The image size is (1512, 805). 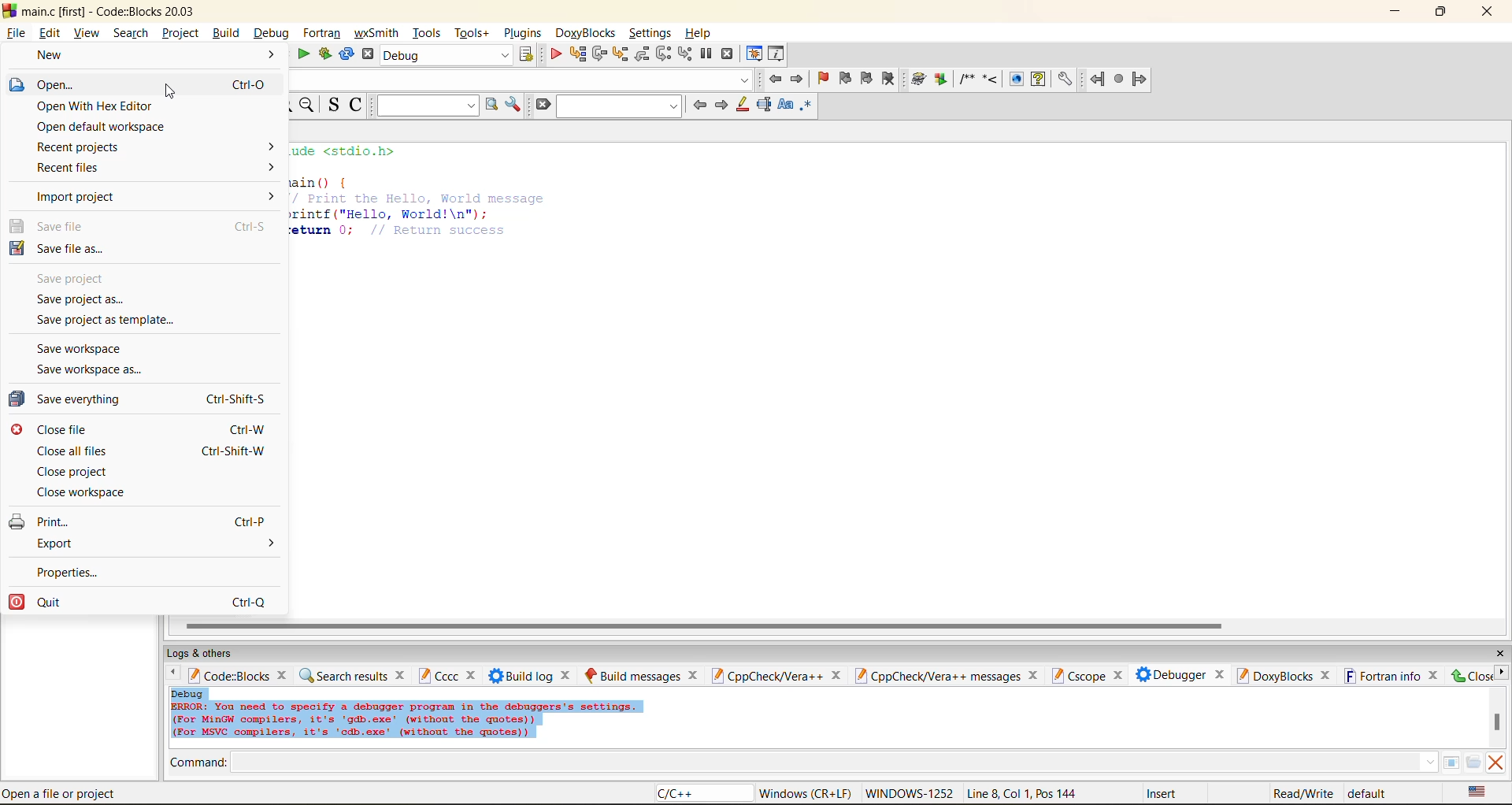 I want to click on run to cursor, so click(x=576, y=54).